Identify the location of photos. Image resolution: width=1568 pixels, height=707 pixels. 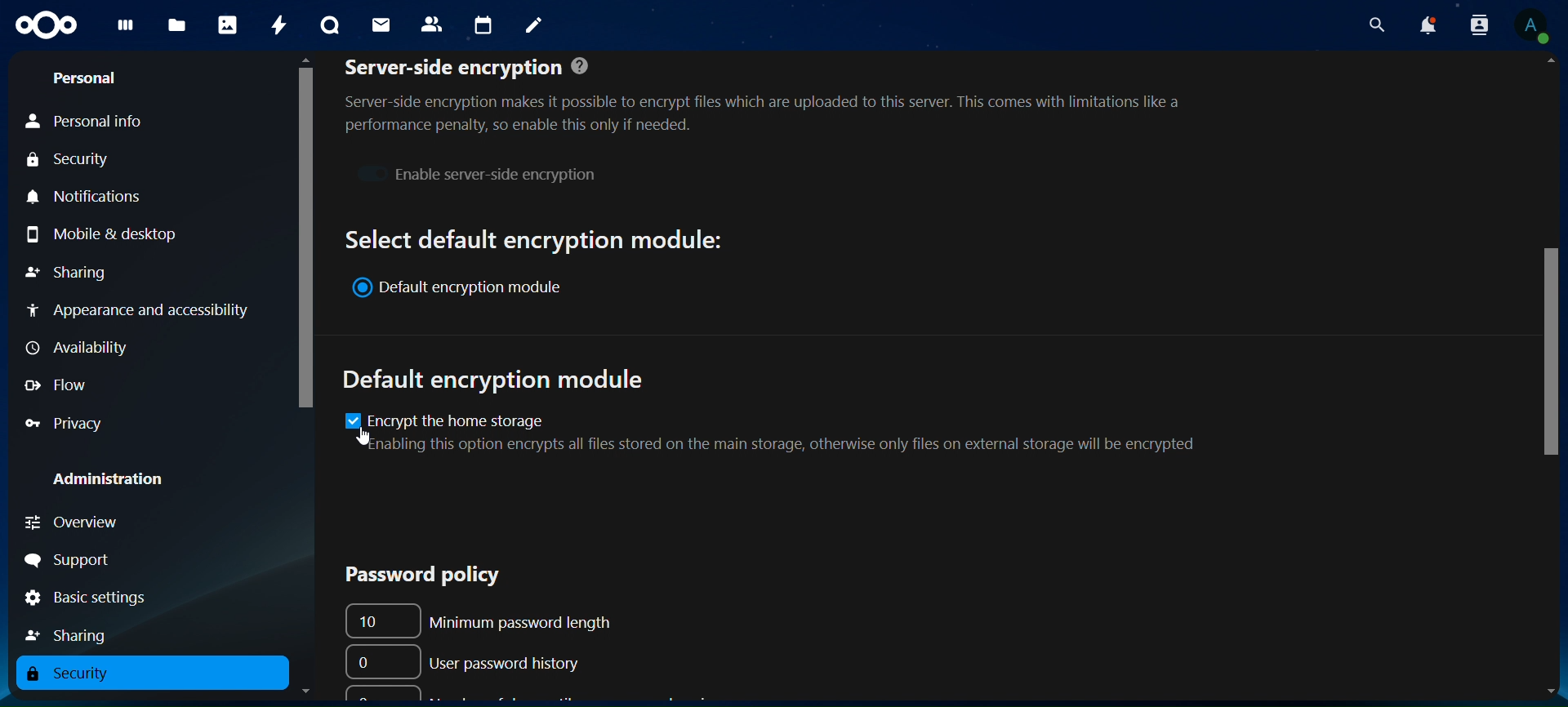
(227, 24).